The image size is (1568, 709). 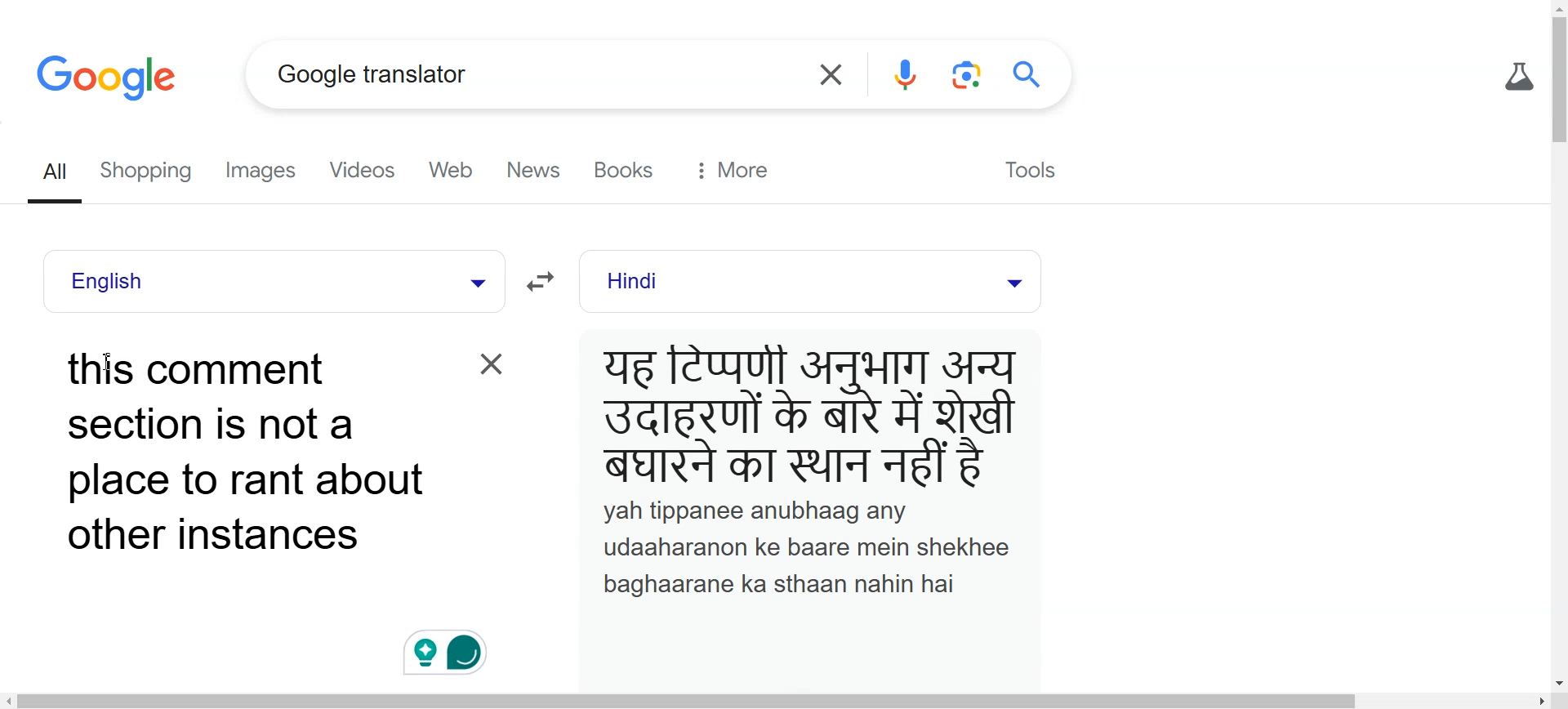 What do you see at coordinates (733, 170) in the screenshot?
I see `More` at bounding box center [733, 170].